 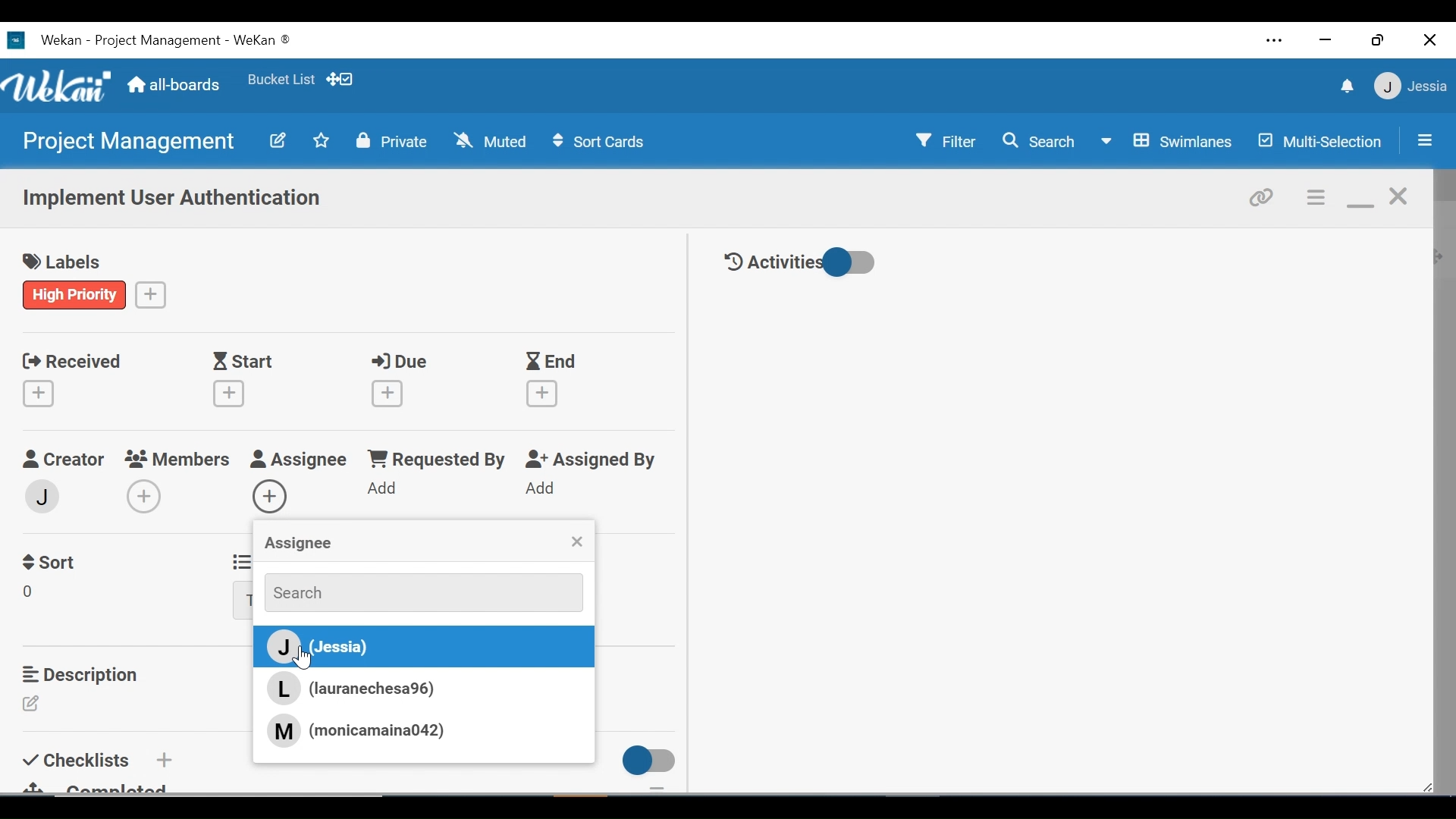 I want to click on Create Received Date, so click(x=42, y=393).